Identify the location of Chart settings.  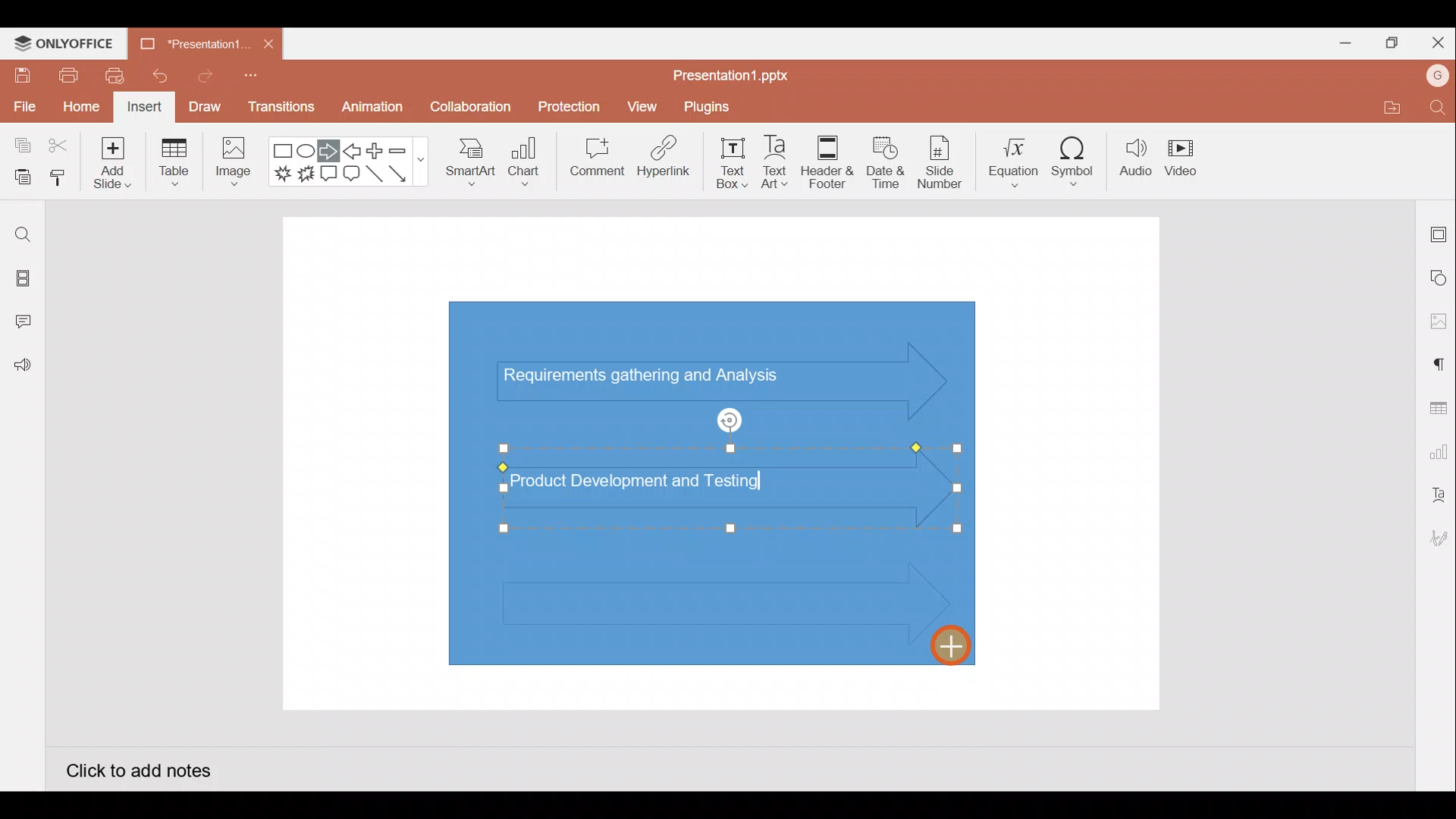
(1436, 449).